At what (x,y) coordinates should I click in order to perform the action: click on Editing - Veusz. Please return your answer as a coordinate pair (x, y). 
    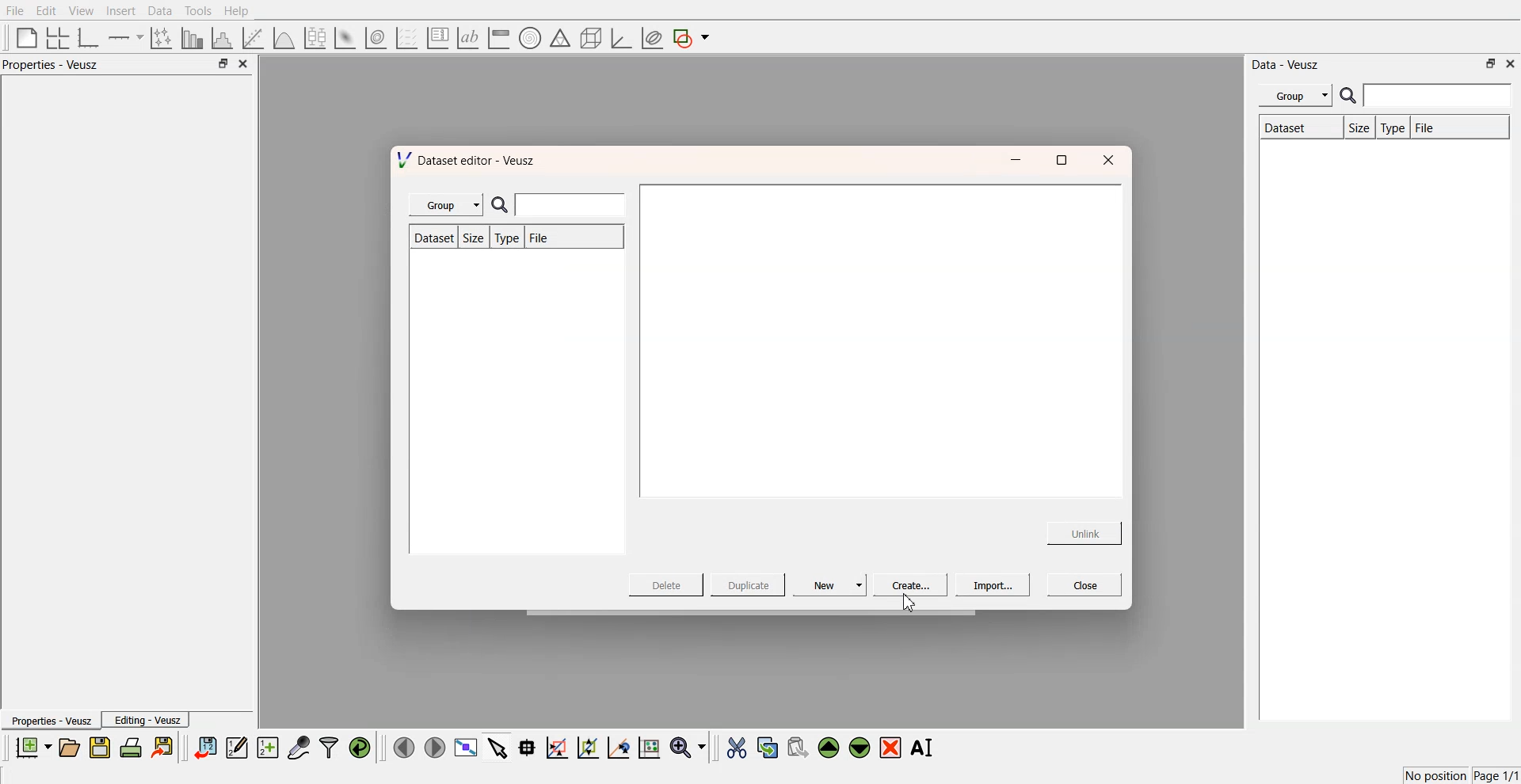
    Looking at the image, I should click on (147, 720).